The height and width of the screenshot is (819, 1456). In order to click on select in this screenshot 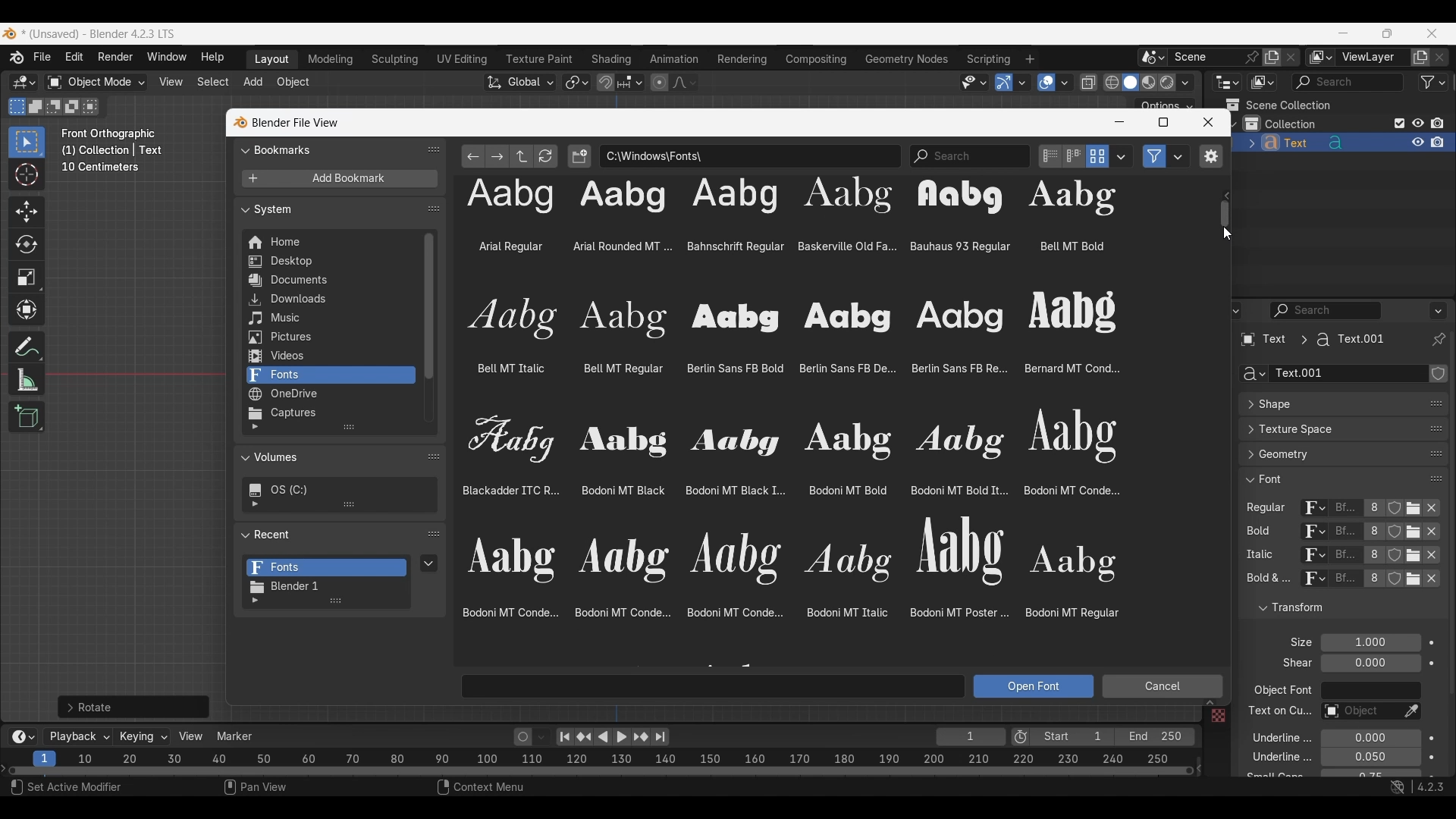, I will do `click(93, 106)`.